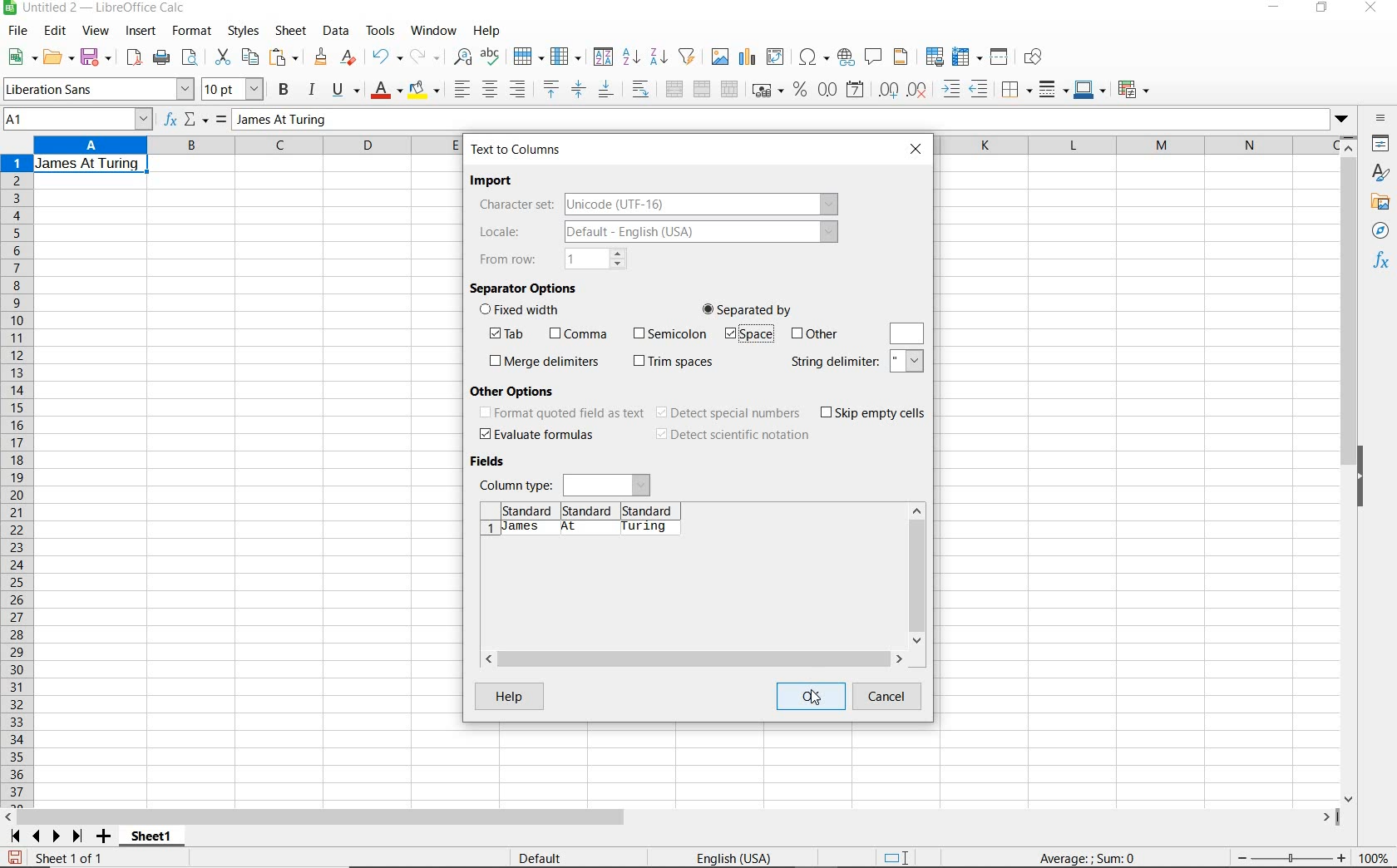  Describe the element at coordinates (654, 234) in the screenshot. I see `locale` at that location.